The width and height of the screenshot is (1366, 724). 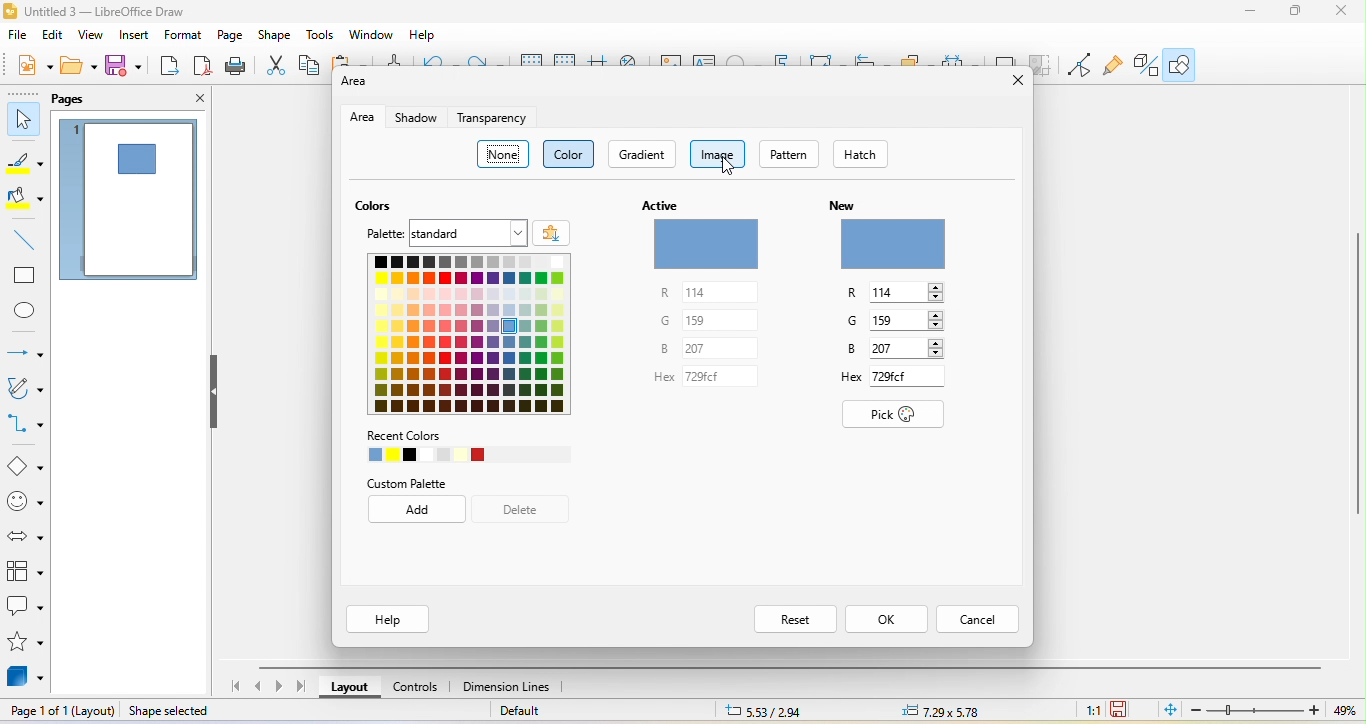 What do you see at coordinates (274, 68) in the screenshot?
I see `cut` at bounding box center [274, 68].